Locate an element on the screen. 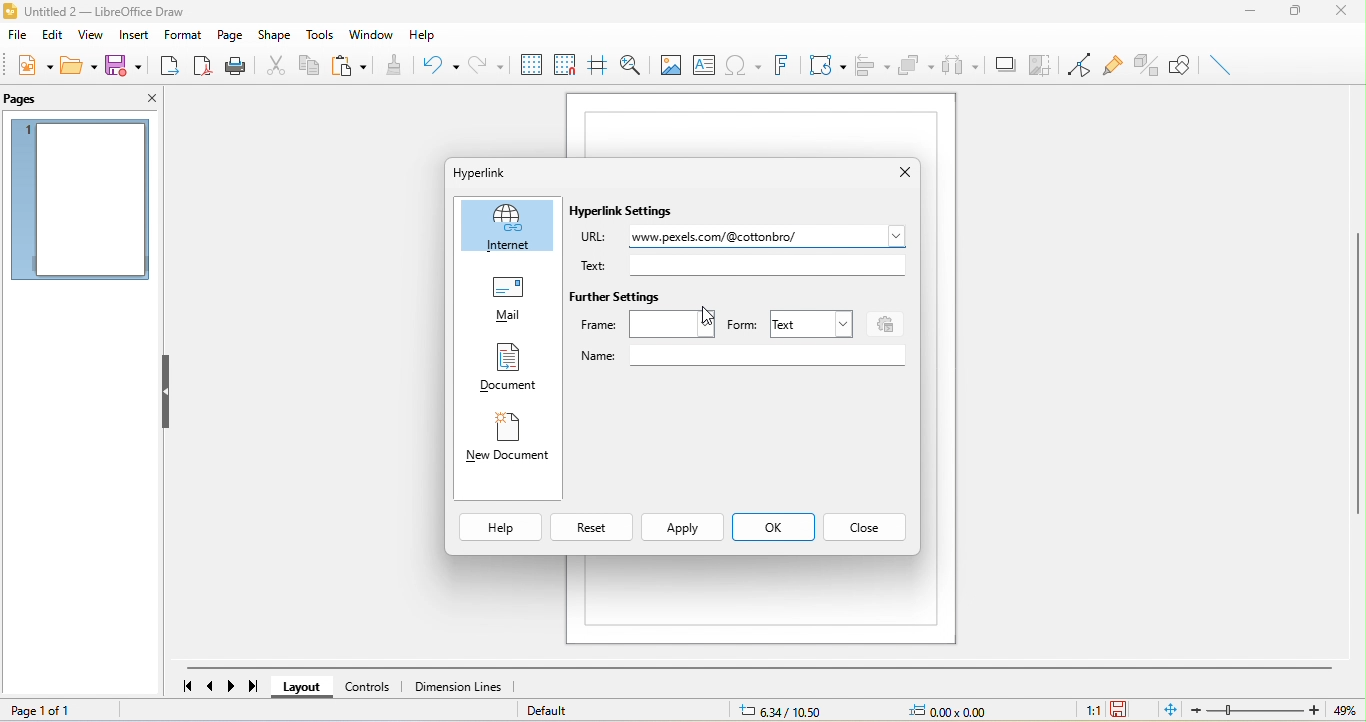 Image resolution: width=1366 pixels, height=722 pixels. close is located at coordinates (899, 172).